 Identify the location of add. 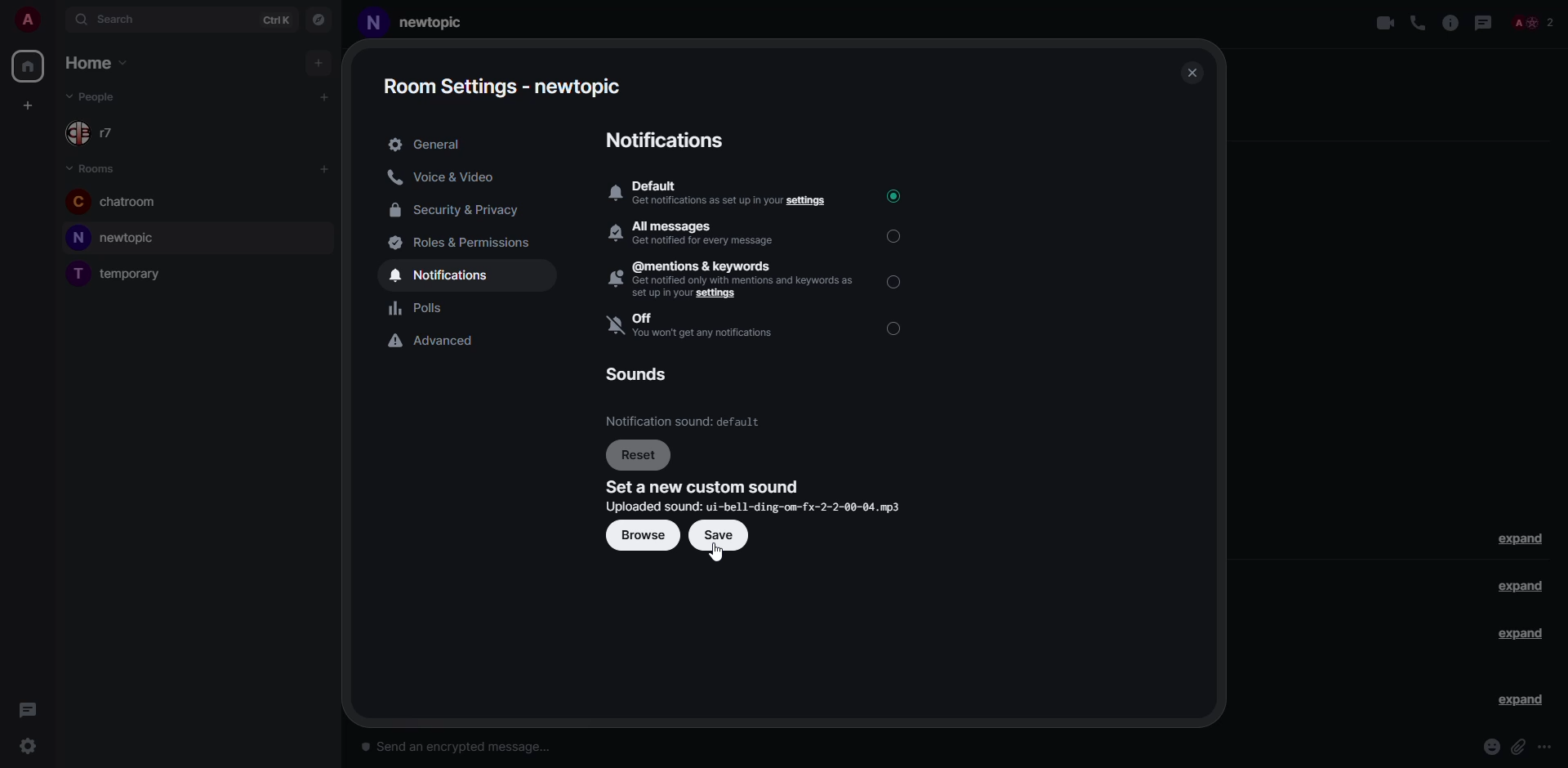
(322, 168).